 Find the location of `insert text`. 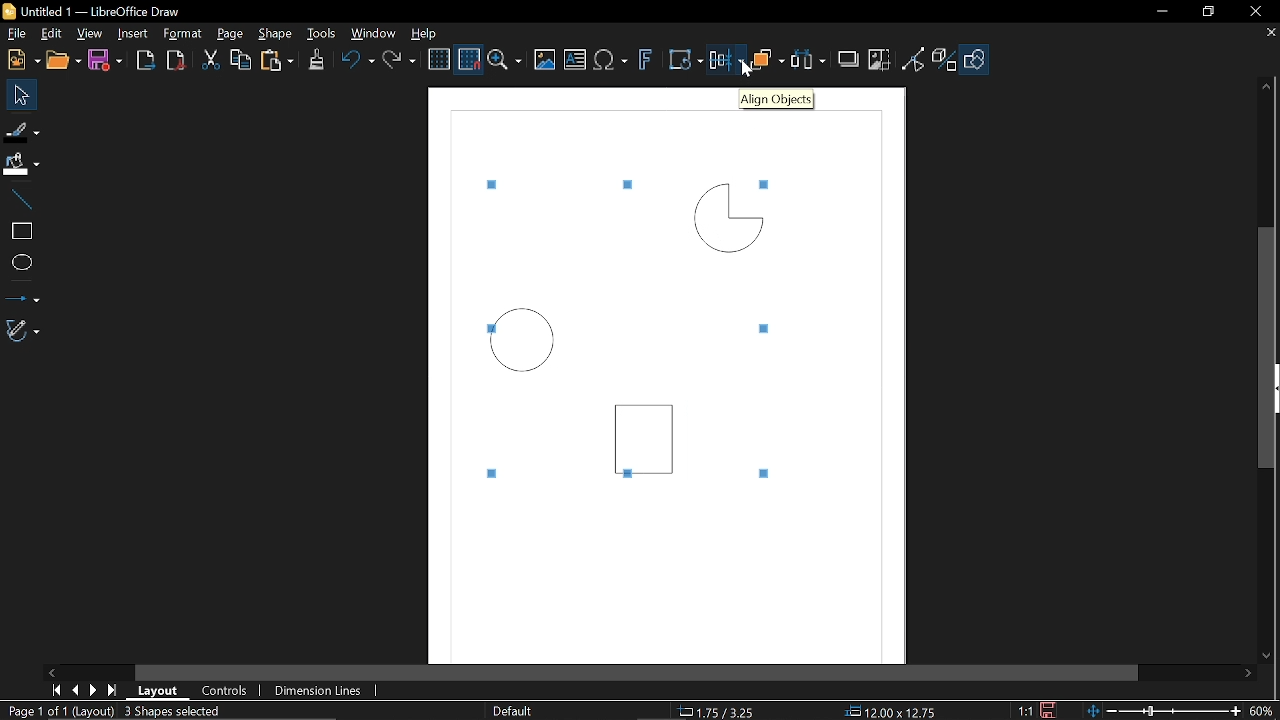

insert text is located at coordinates (575, 59).